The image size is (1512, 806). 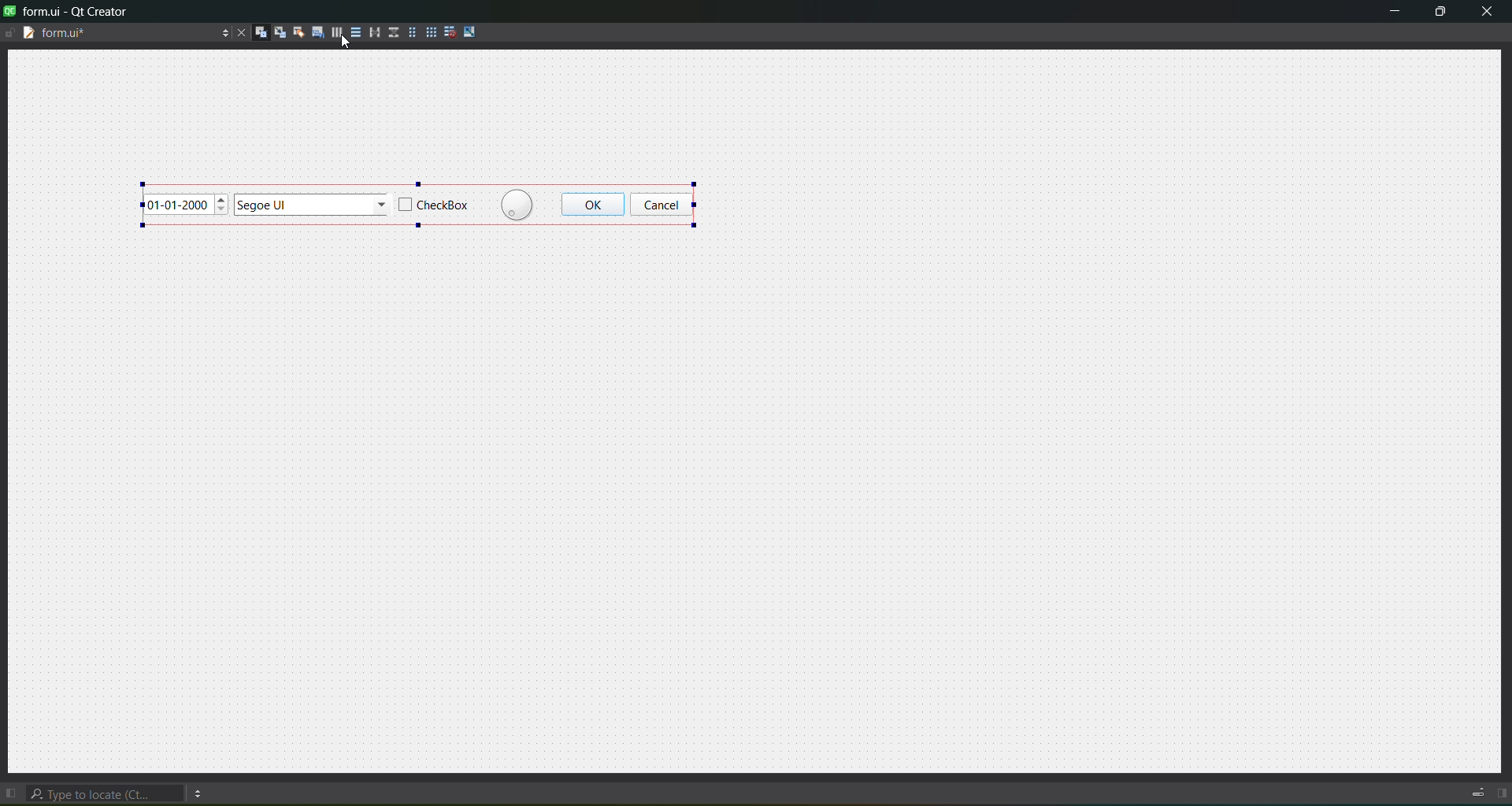 What do you see at coordinates (276, 32) in the screenshot?
I see `signals` at bounding box center [276, 32].